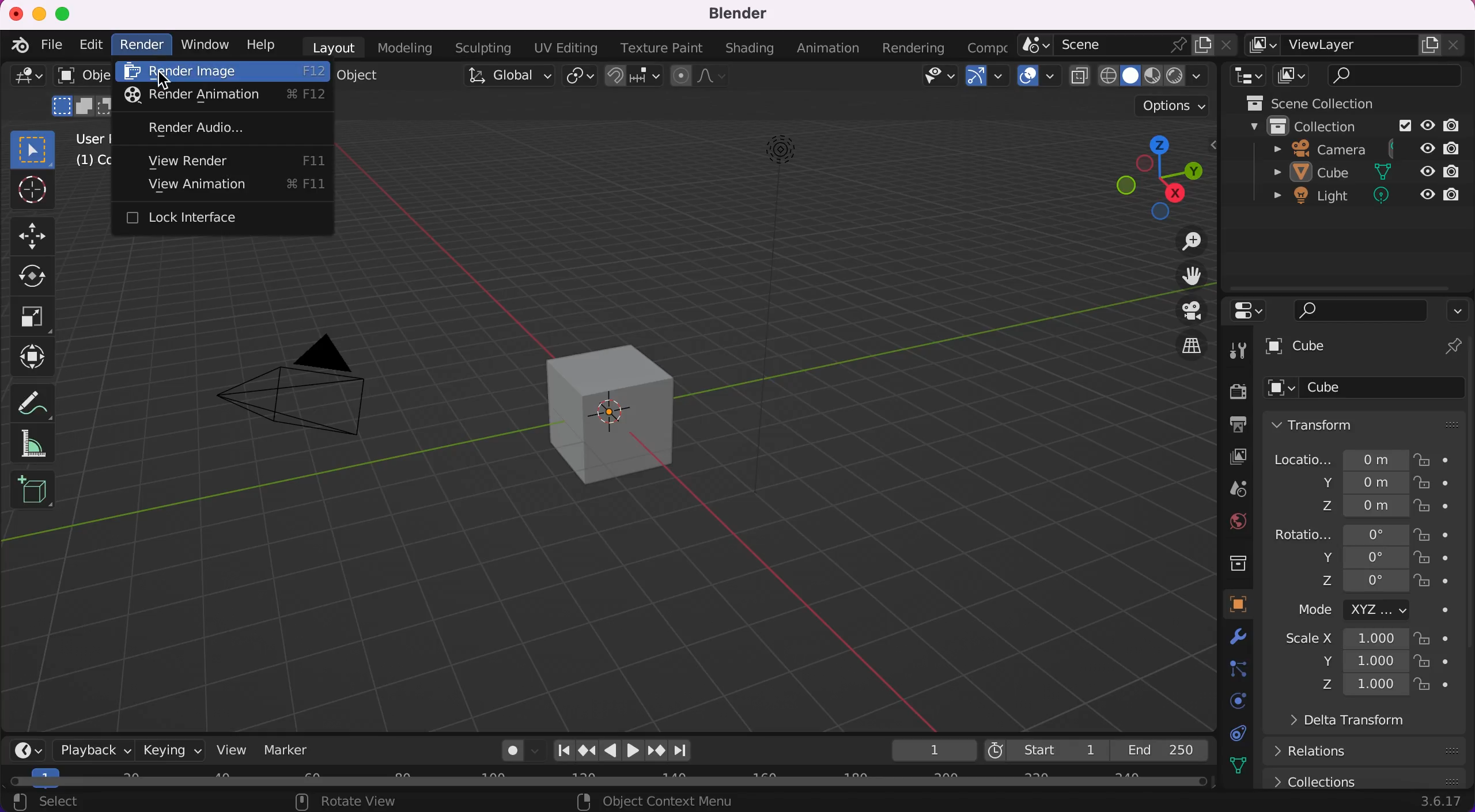  Describe the element at coordinates (1427, 126) in the screenshot. I see `hide in viewport` at that location.